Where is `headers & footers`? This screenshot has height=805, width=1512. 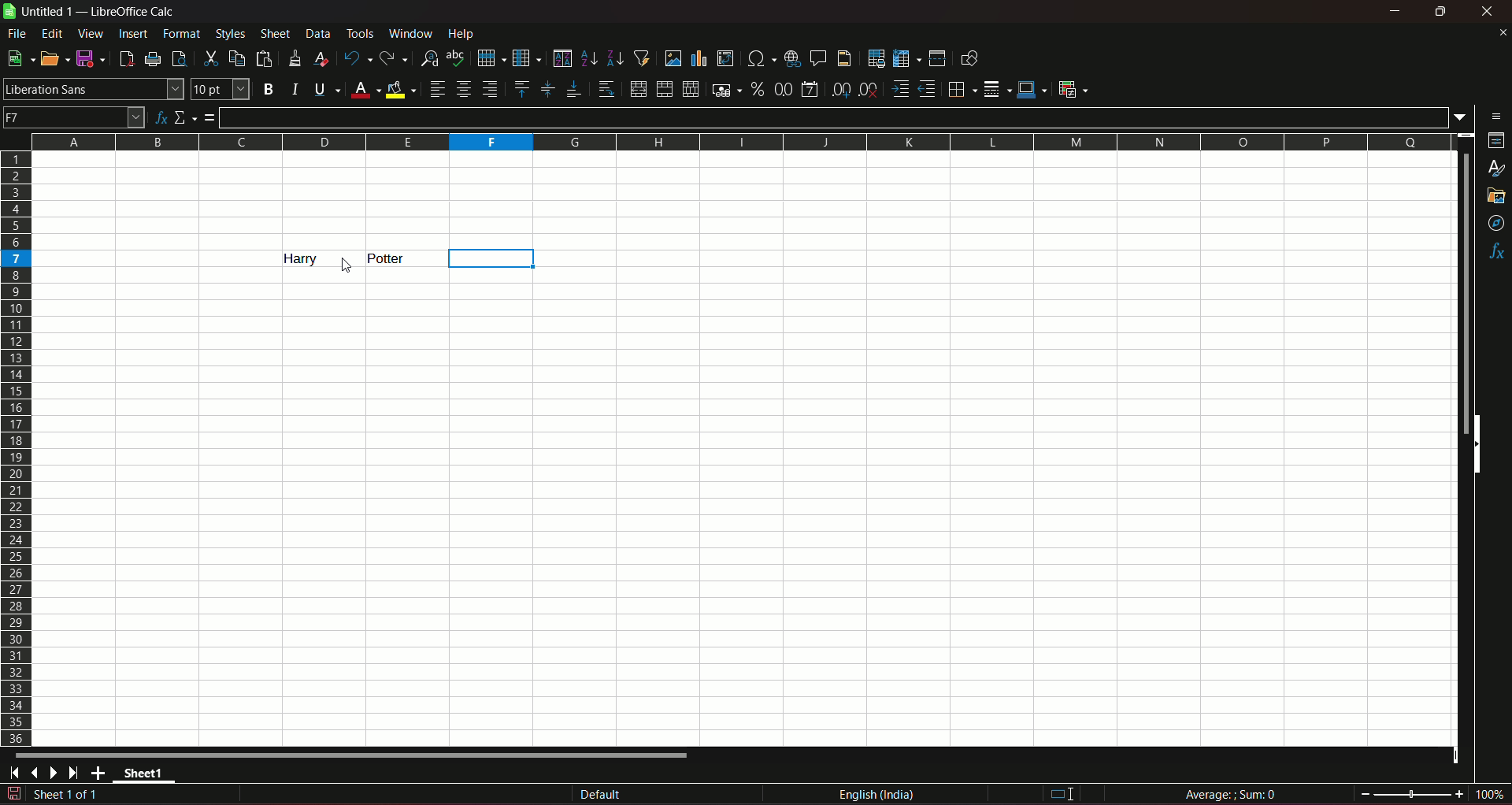 headers & footers is located at coordinates (843, 57).